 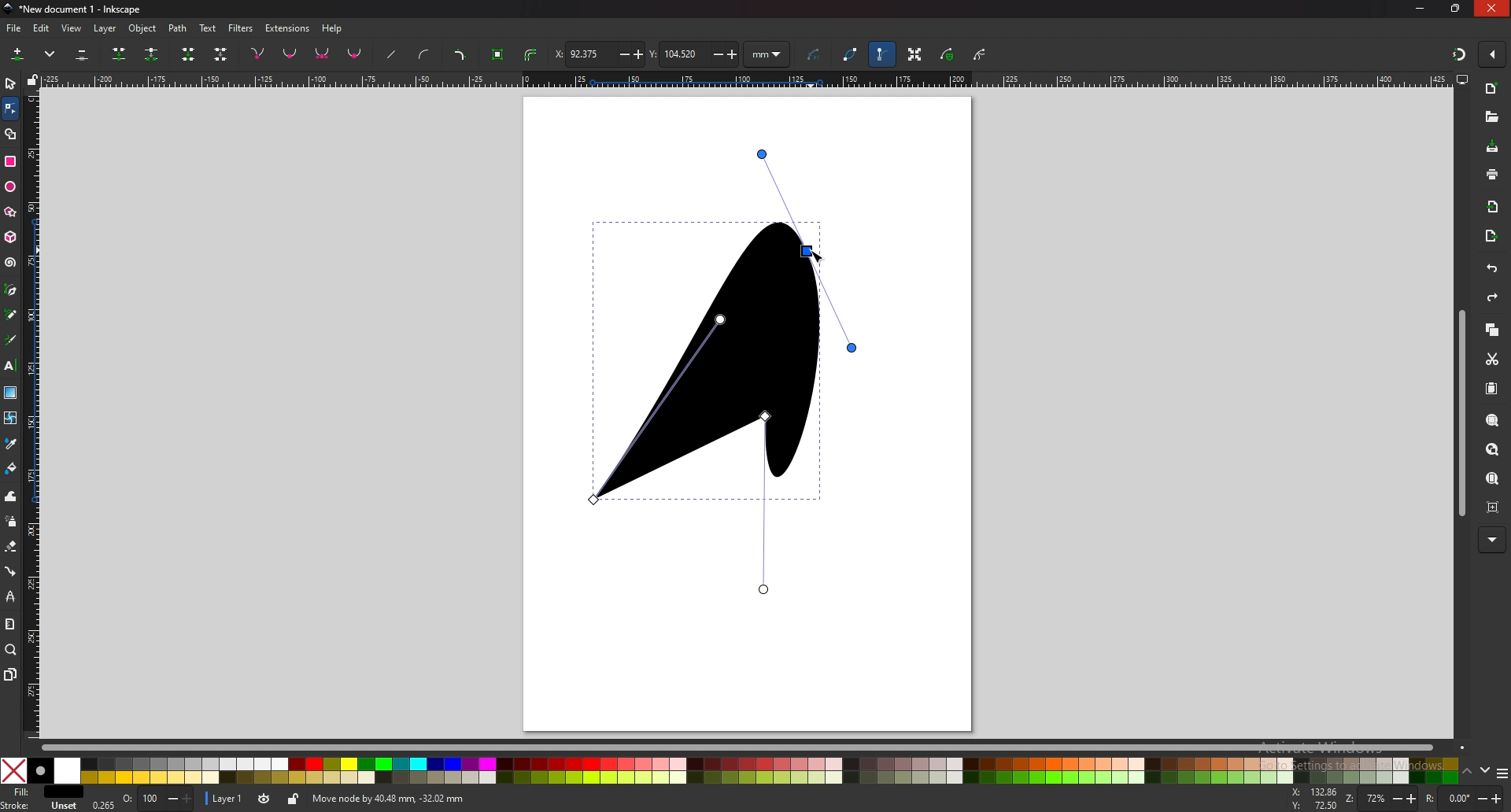 What do you see at coordinates (10, 83) in the screenshot?
I see `selector` at bounding box center [10, 83].